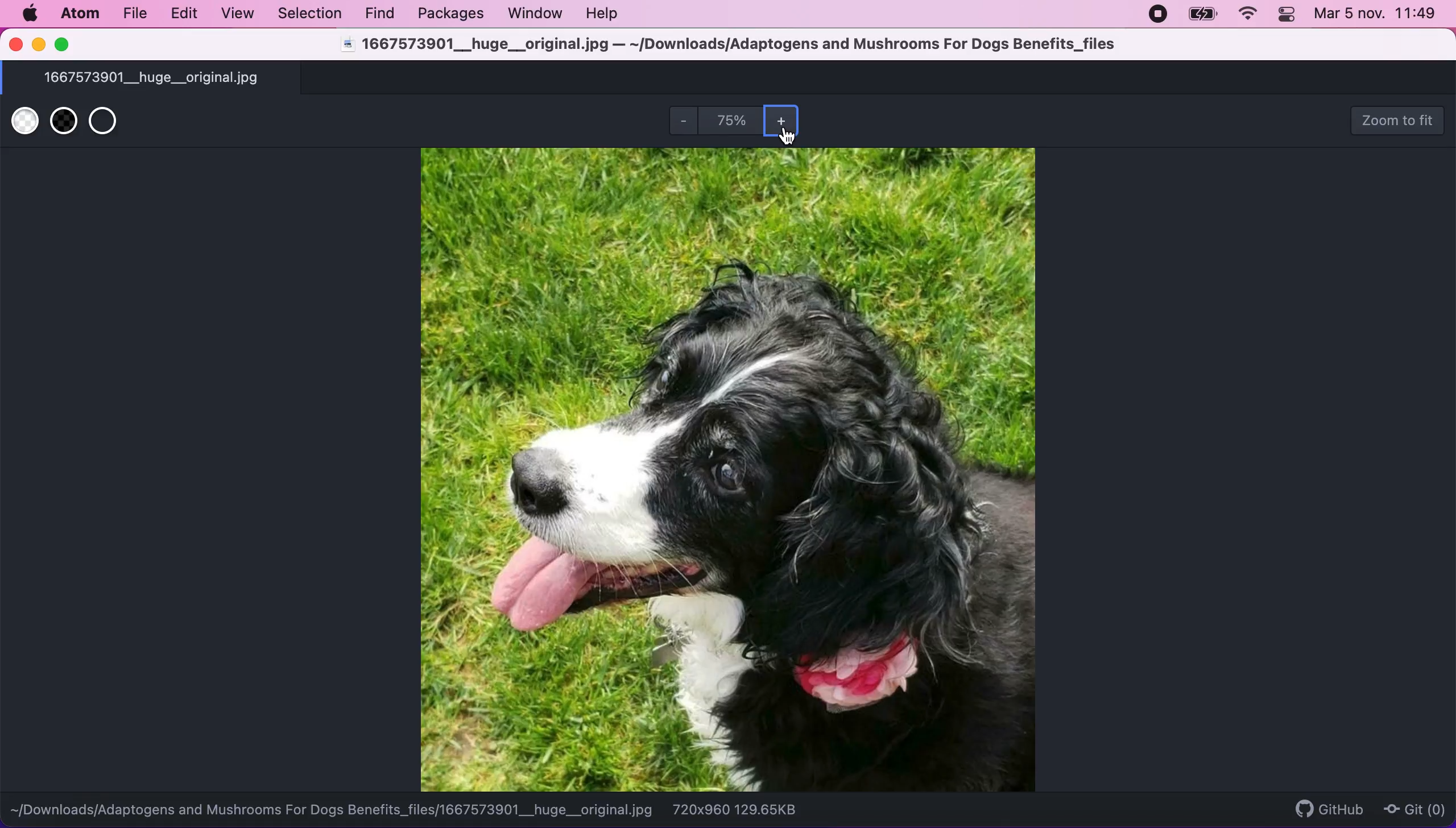  Describe the element at coordinates (135, 14) in the screenshot. I see `file` at that location.